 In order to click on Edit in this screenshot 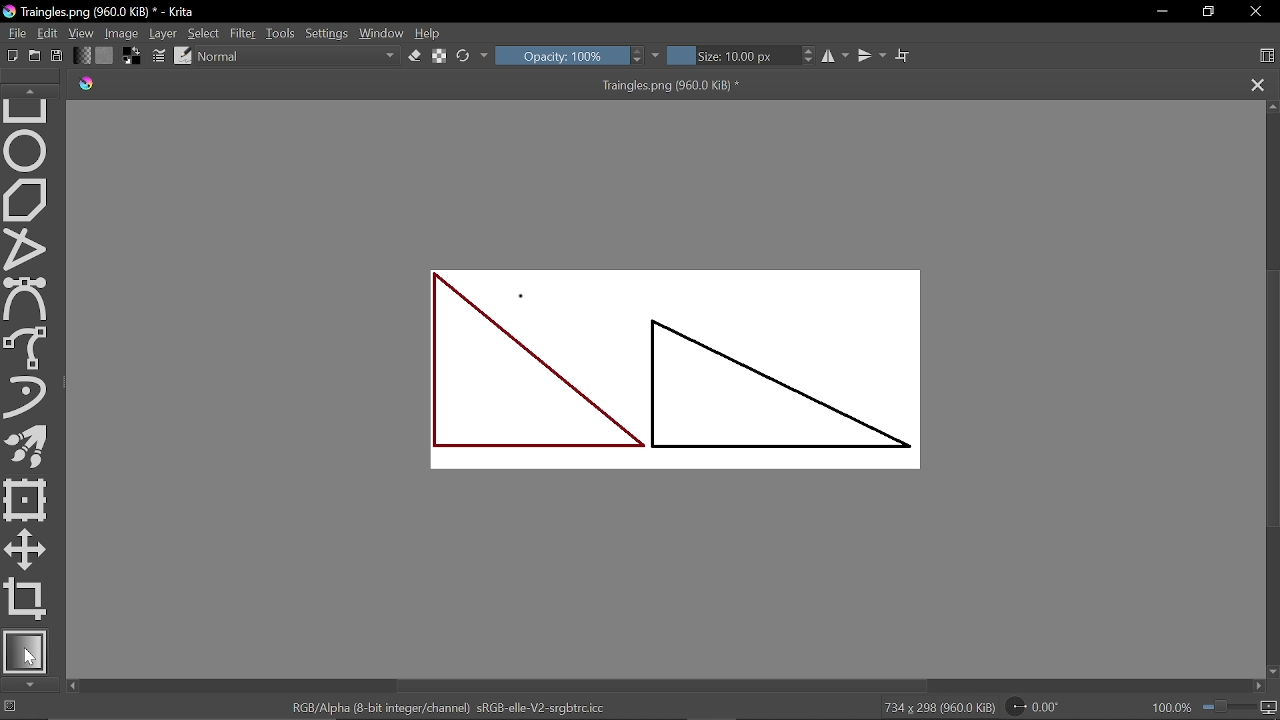, I will do `click(47, 32)`.